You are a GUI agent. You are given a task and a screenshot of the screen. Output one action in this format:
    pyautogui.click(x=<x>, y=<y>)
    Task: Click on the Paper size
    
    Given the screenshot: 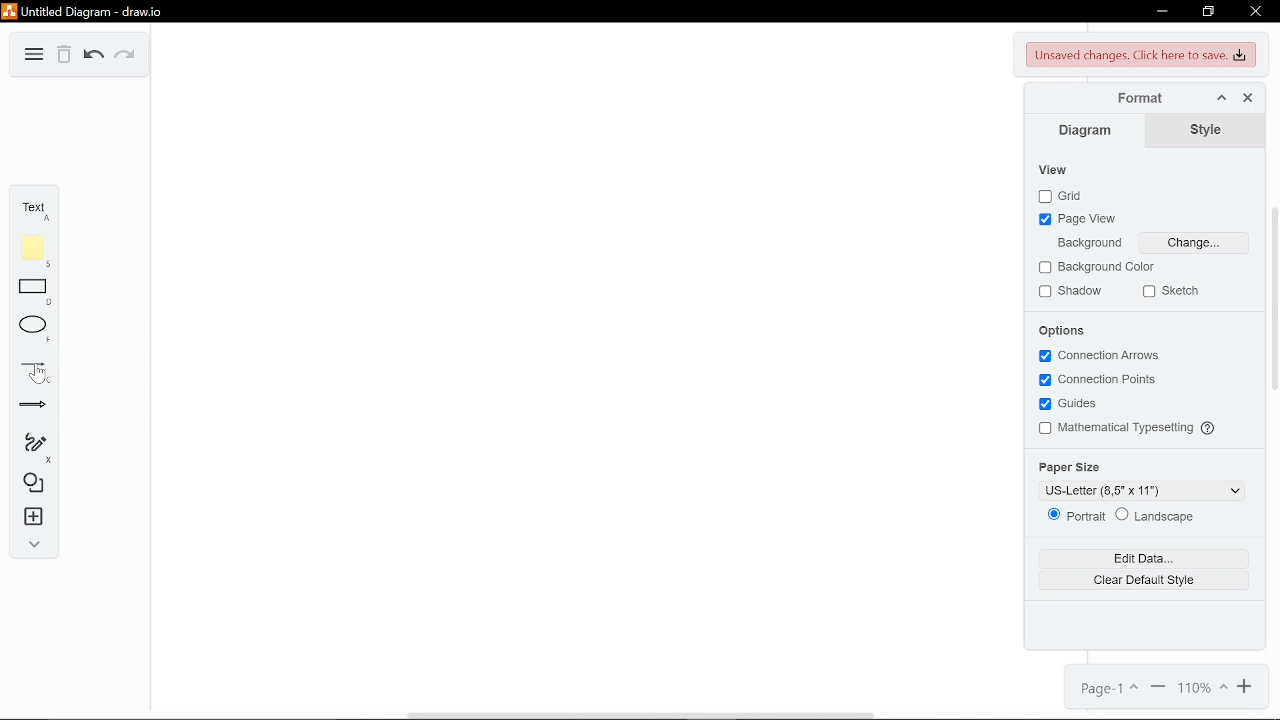 What is the action you would take?
    pyautogui.click(x=1074, y=465)
    